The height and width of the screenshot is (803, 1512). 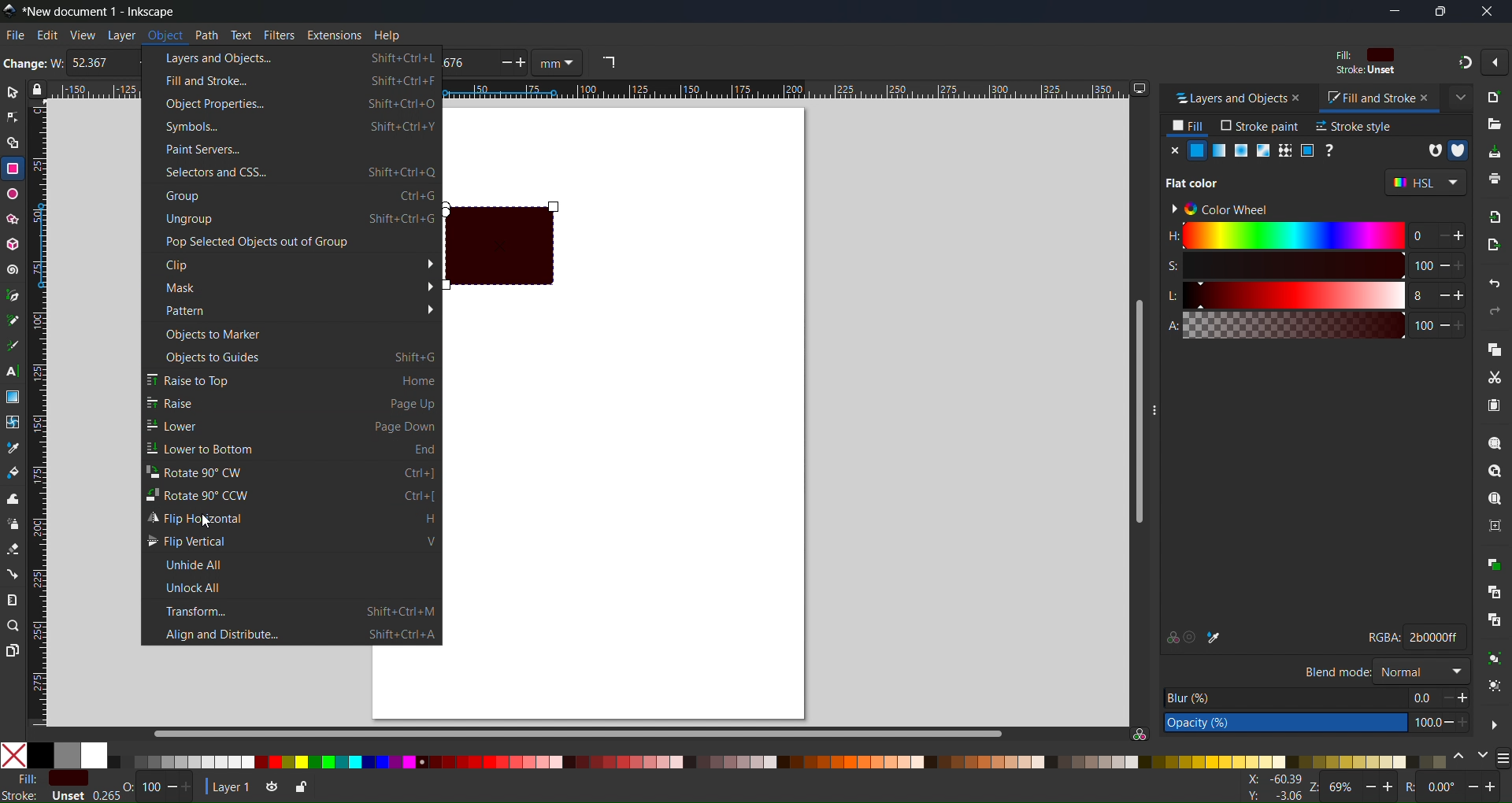 I want to click on Undo, so click(x=1496, y=286).